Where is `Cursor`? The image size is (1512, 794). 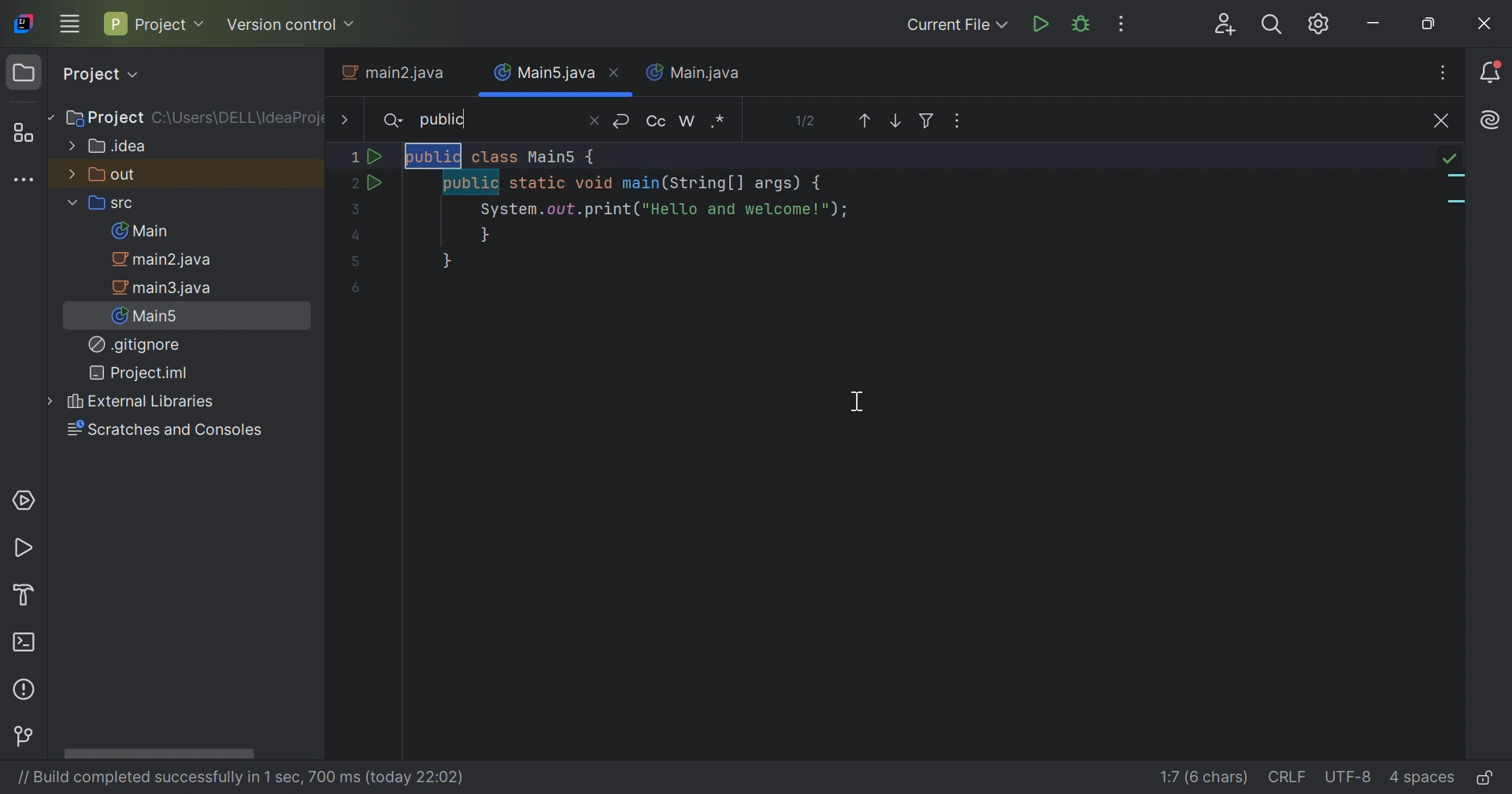
Cursor is located at coordinates (859, 403).